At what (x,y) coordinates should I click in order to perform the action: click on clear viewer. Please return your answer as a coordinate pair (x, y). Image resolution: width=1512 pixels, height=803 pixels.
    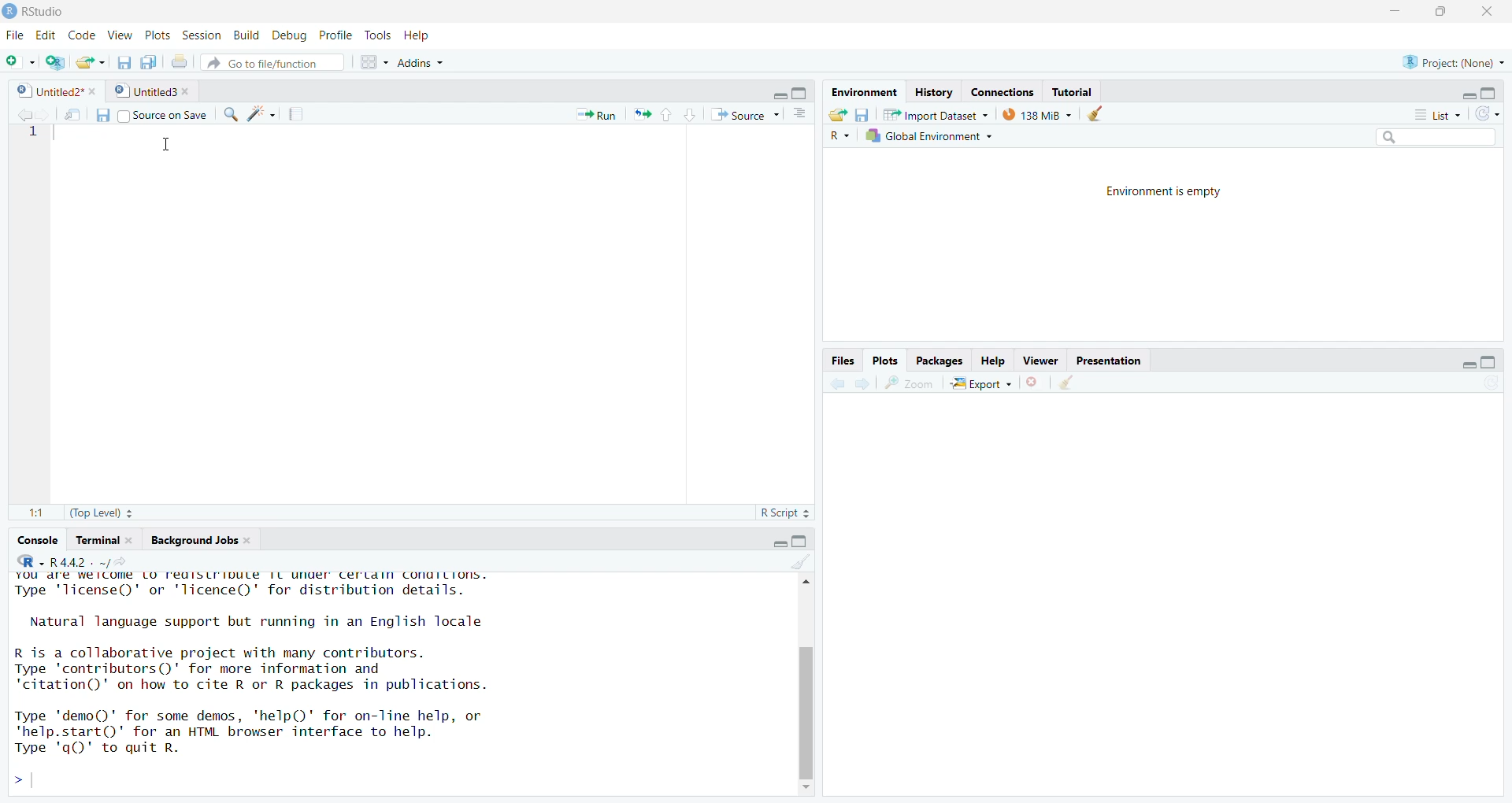
    Looking at the image, I should click on (1066, 382).